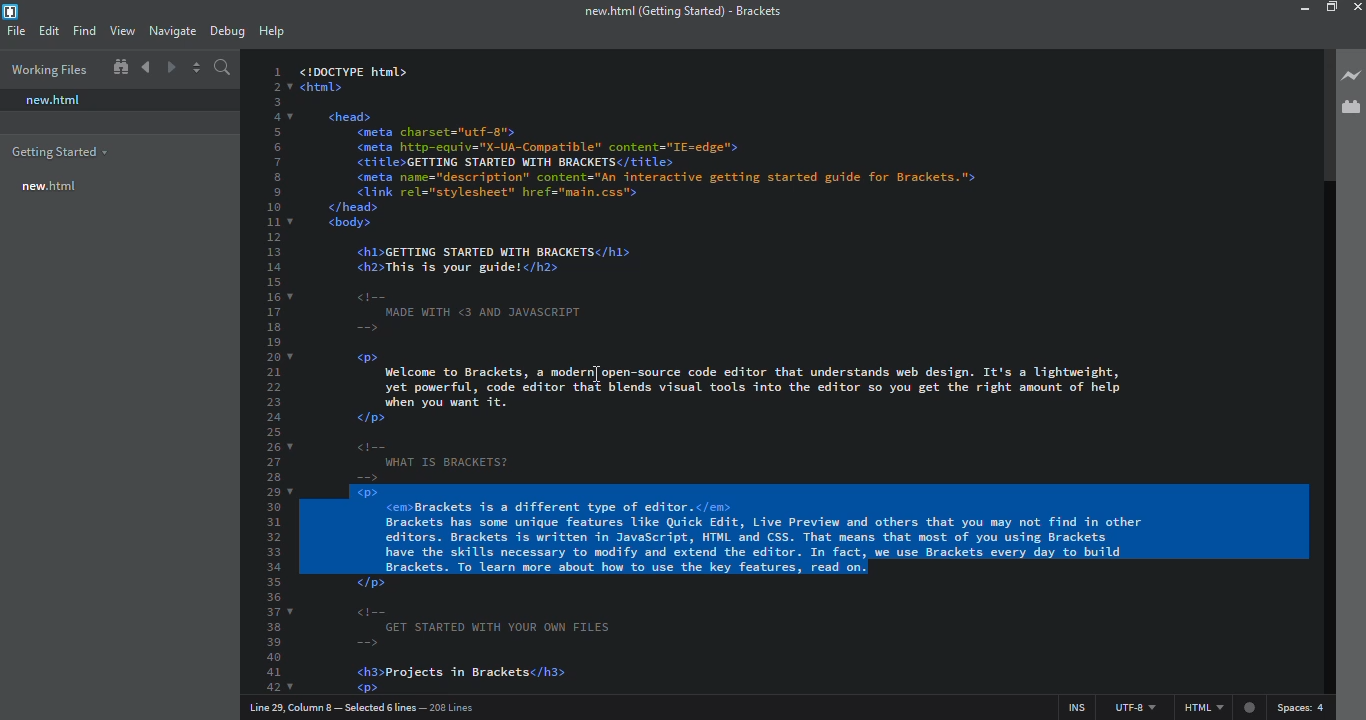  I want to click on working files, so click(45, 68).